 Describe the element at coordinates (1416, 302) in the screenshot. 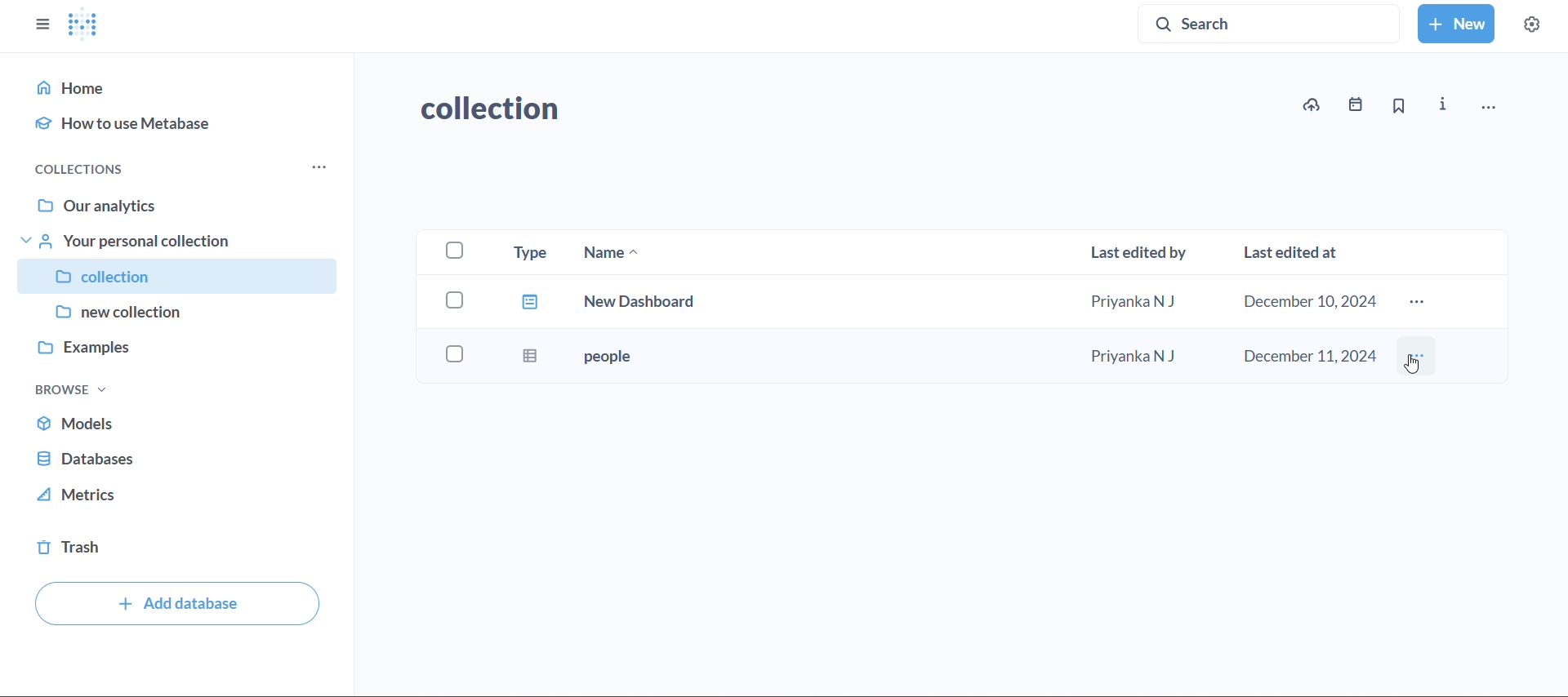

I see `more` at that location.